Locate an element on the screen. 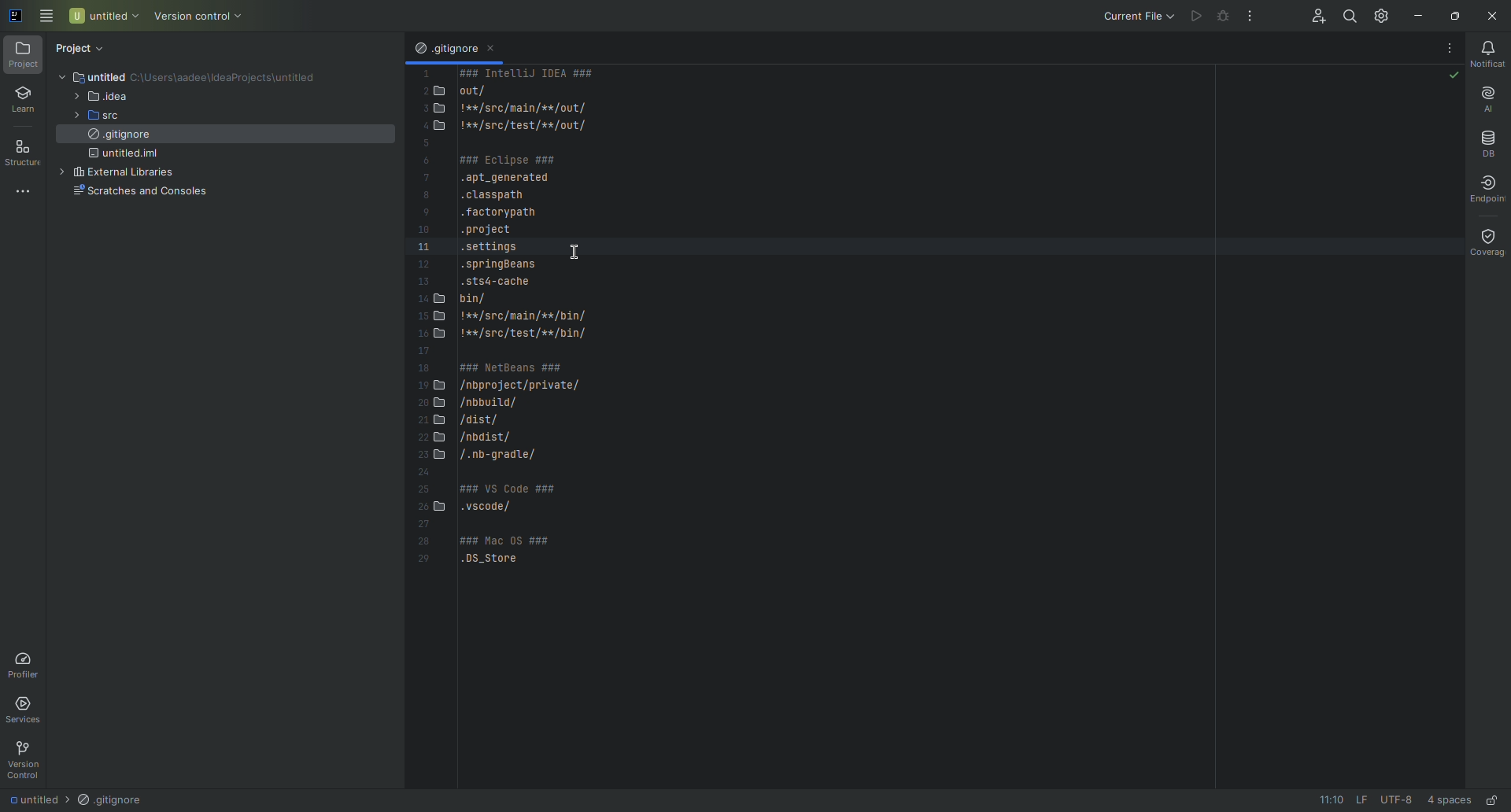 The height and width of the screenshot is (812, 1511). Project is located at coordinates (84, 46).